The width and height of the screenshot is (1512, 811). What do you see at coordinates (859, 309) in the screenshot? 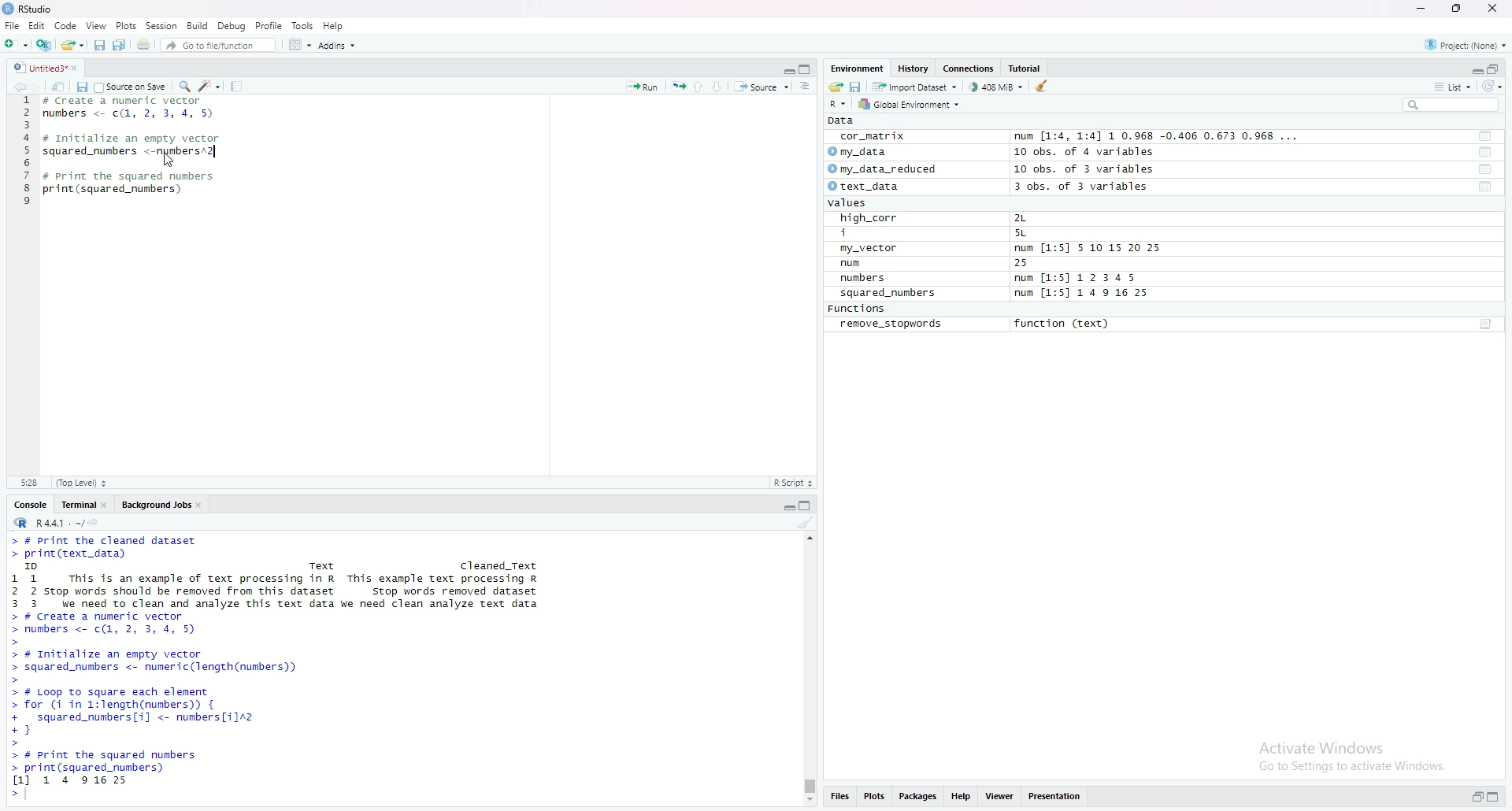
I see `Functions` at bounding box center [859, 309].